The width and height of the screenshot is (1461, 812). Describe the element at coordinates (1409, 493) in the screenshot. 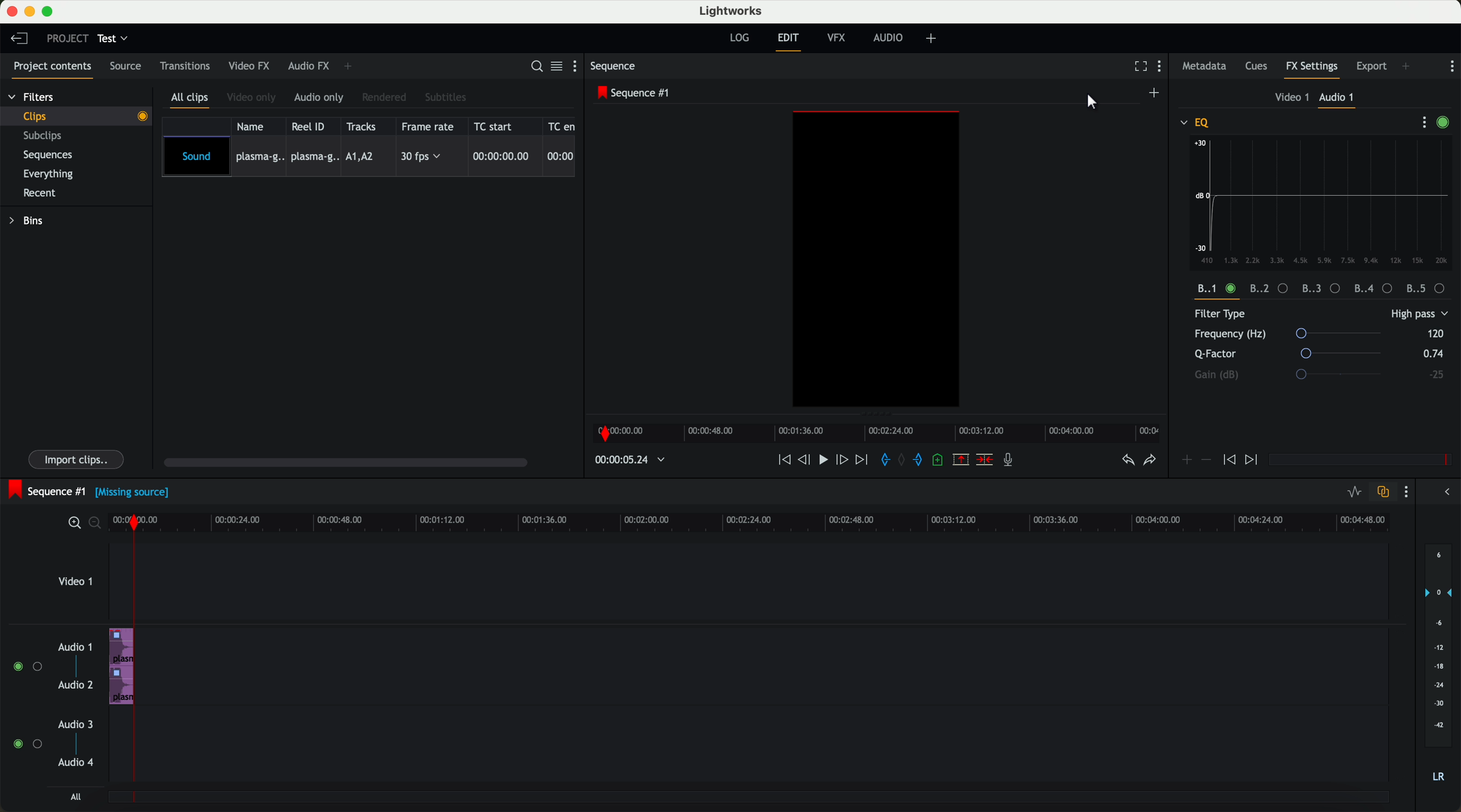

I see `show settings menu` at that location.